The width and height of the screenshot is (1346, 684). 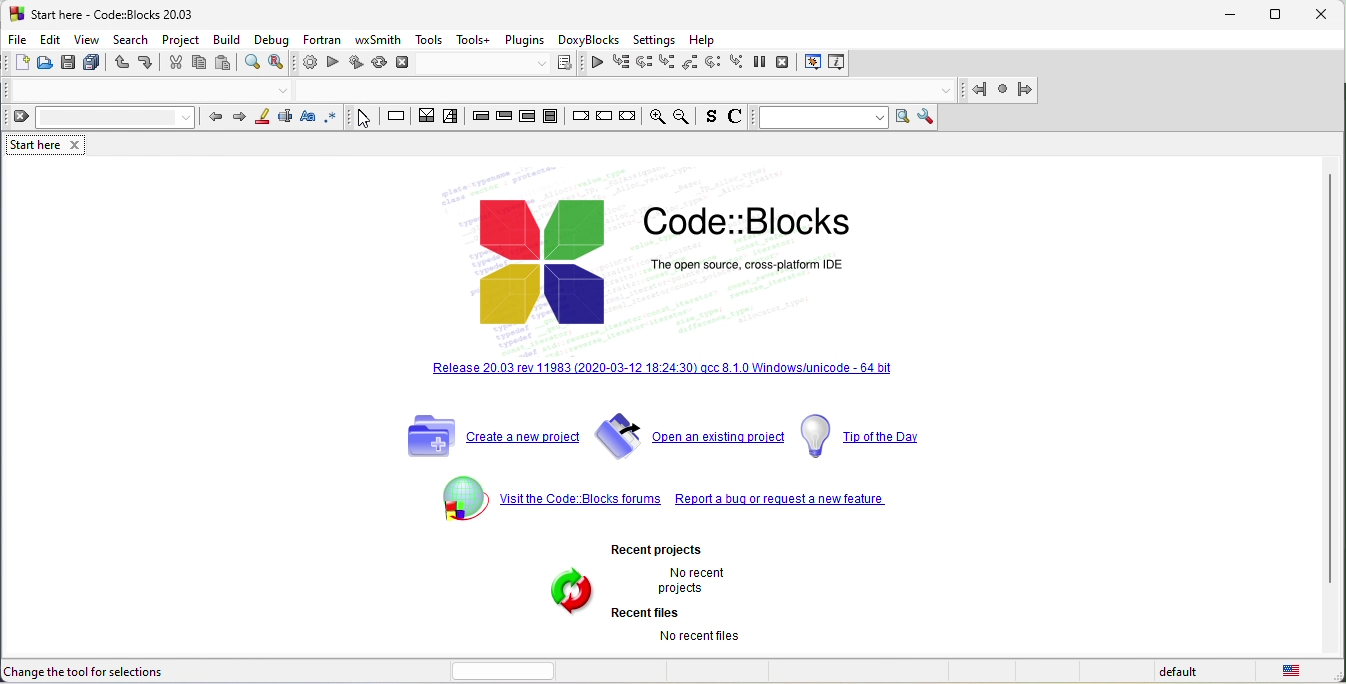 What do you see at coordinates (280, 68) in the screenshot?
I see `replace` at bounding box center [280, 68].